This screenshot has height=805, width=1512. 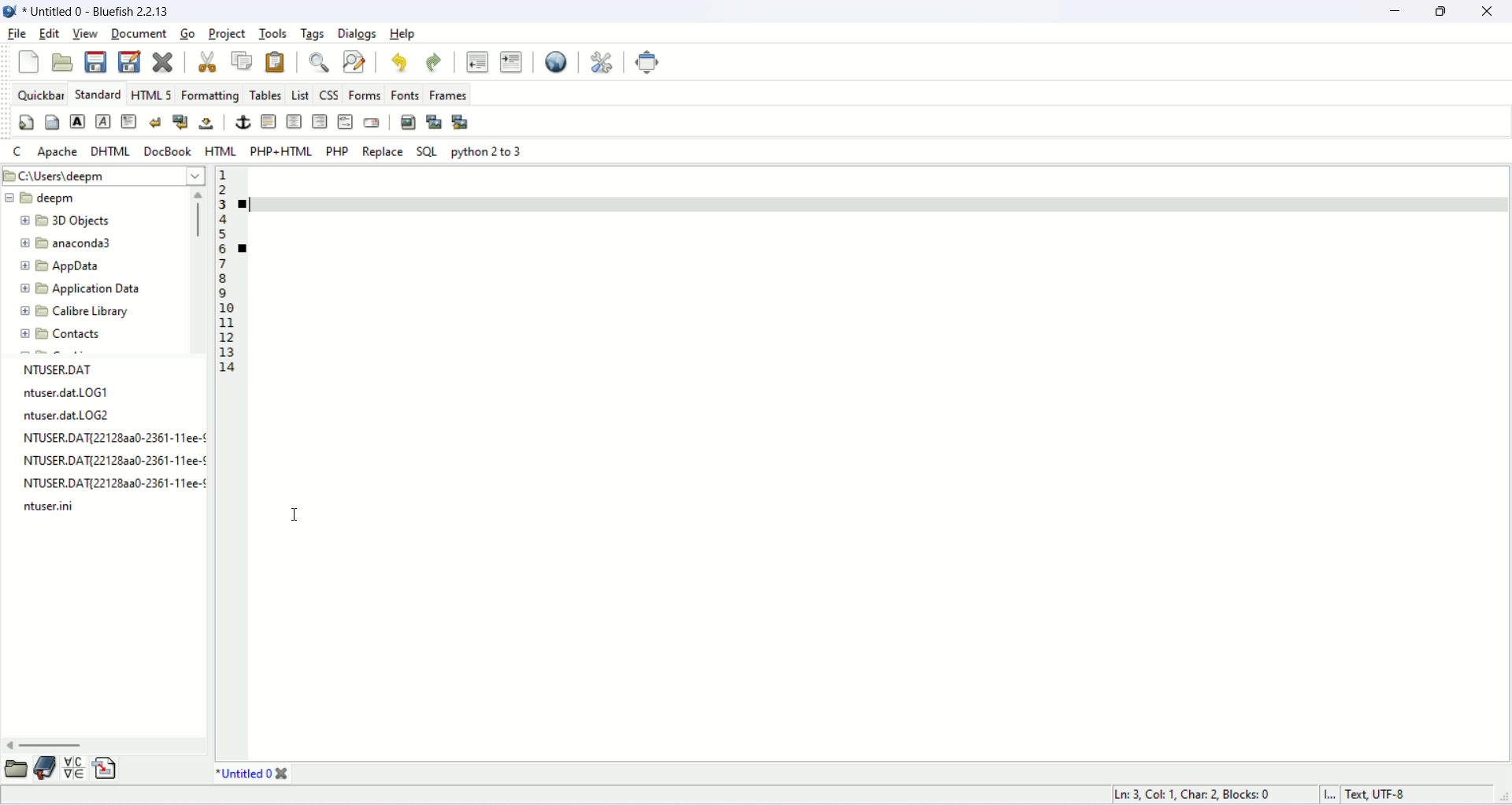 What do you see at coordinates (181, 121) in the screenshot?
I see `break and clear` at bounding box center [181, 121].